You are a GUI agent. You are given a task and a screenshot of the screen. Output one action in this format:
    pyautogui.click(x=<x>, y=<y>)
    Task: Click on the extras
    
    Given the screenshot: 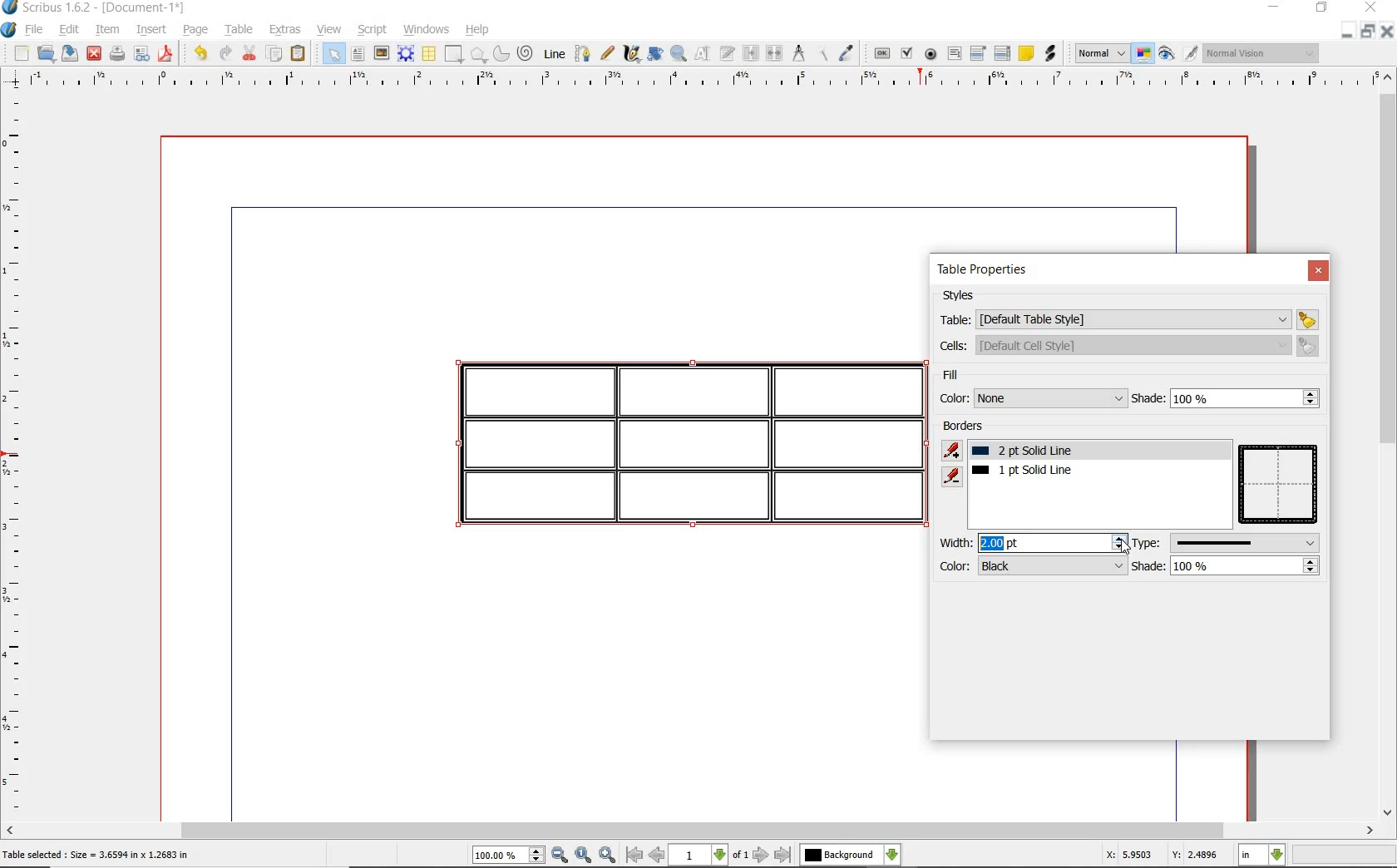 What is the action you would take?
    pyautogui.click(x=286, y=31)
    